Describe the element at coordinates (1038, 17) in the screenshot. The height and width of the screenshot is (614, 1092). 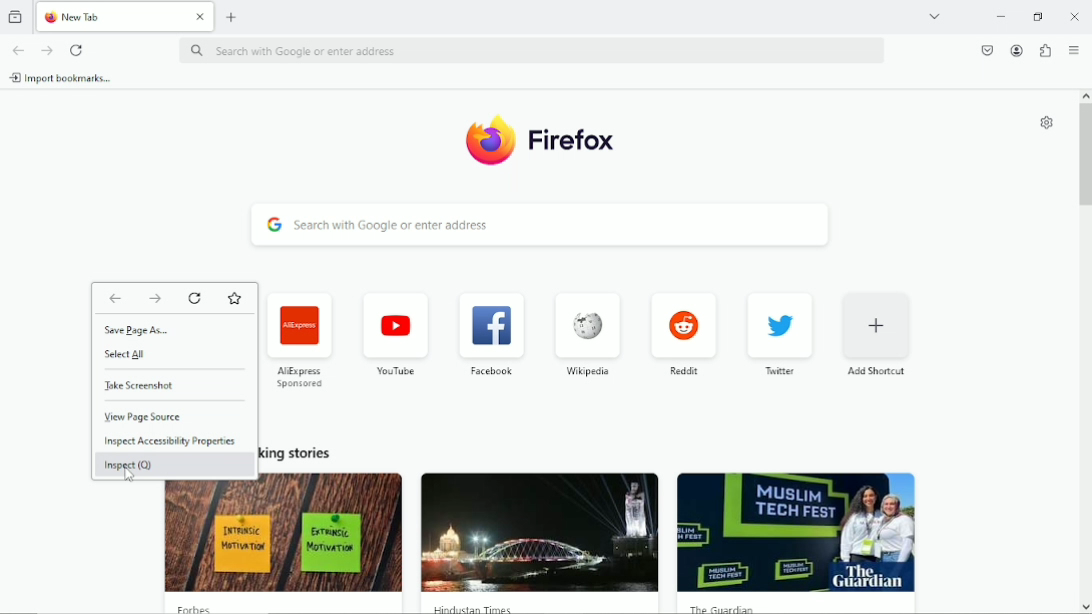
I see `Restore down` at that location.